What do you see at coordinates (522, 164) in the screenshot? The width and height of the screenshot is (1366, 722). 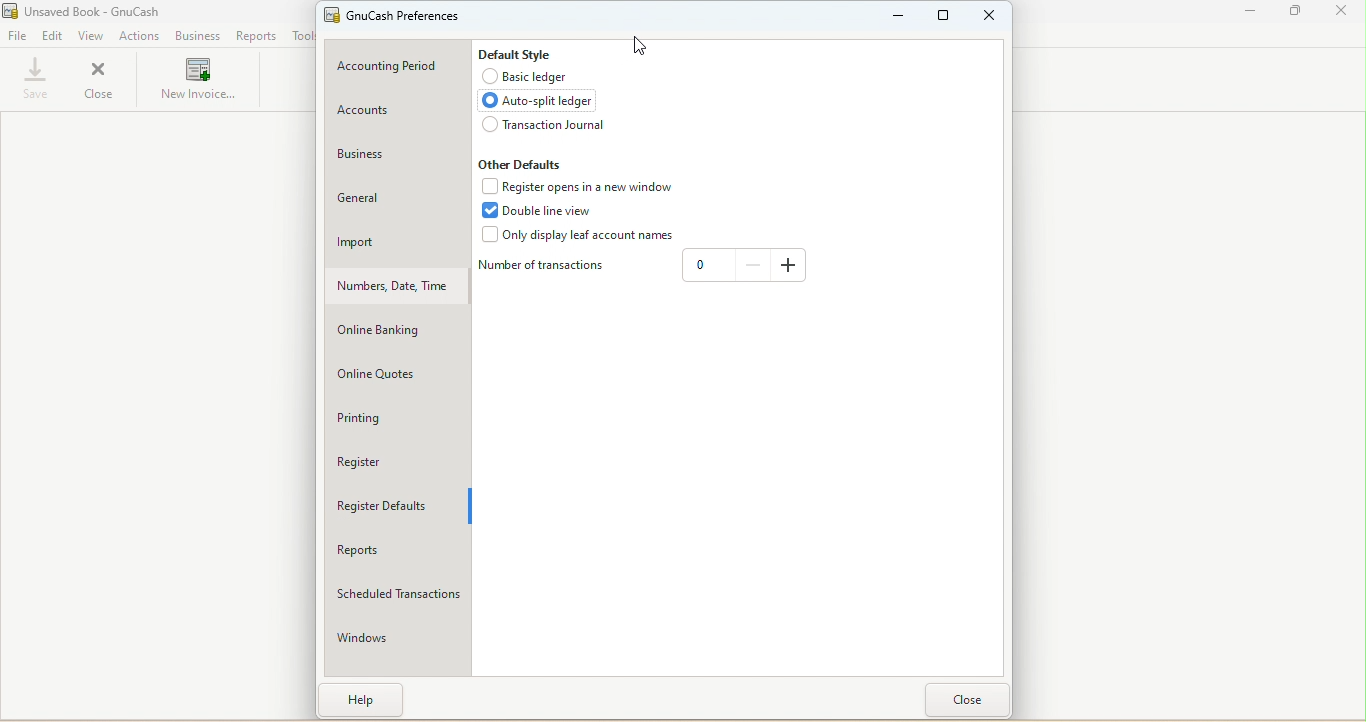 I see `Other defaults` at bounding box center [522, 164].